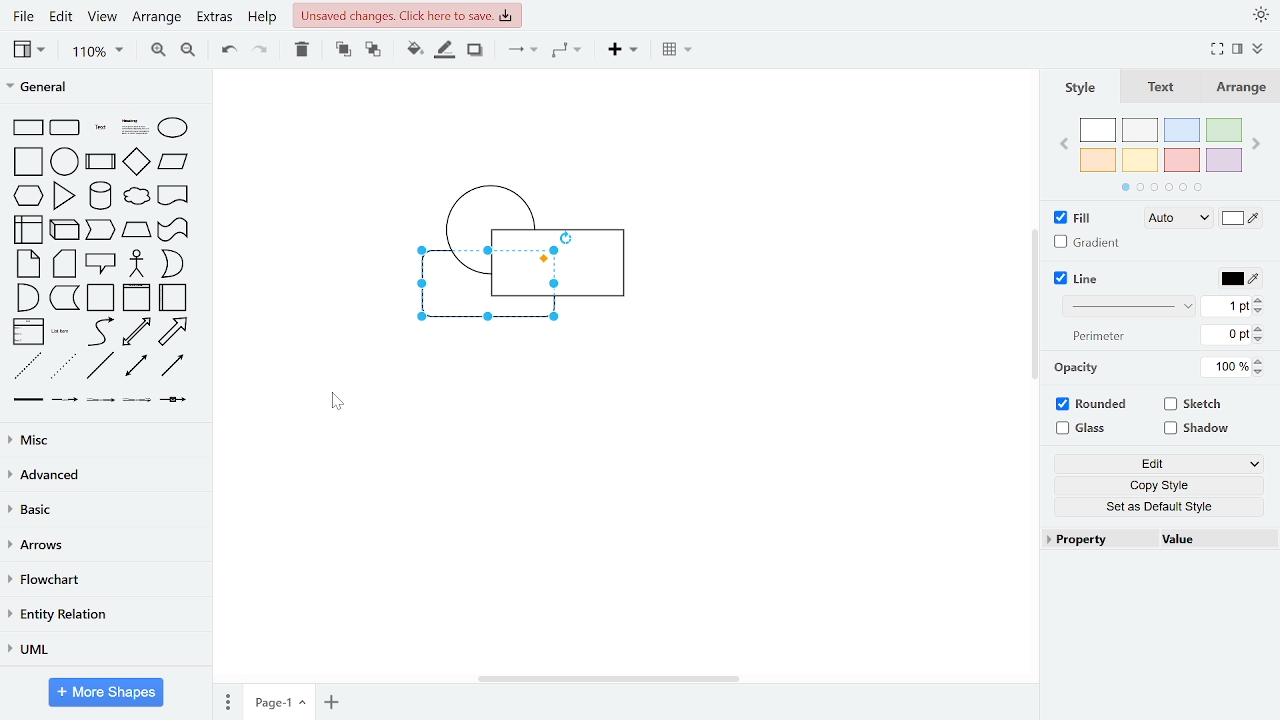  Describe the element at coordinates (136, 162) in the screenshot. I see `diamond` at that location.